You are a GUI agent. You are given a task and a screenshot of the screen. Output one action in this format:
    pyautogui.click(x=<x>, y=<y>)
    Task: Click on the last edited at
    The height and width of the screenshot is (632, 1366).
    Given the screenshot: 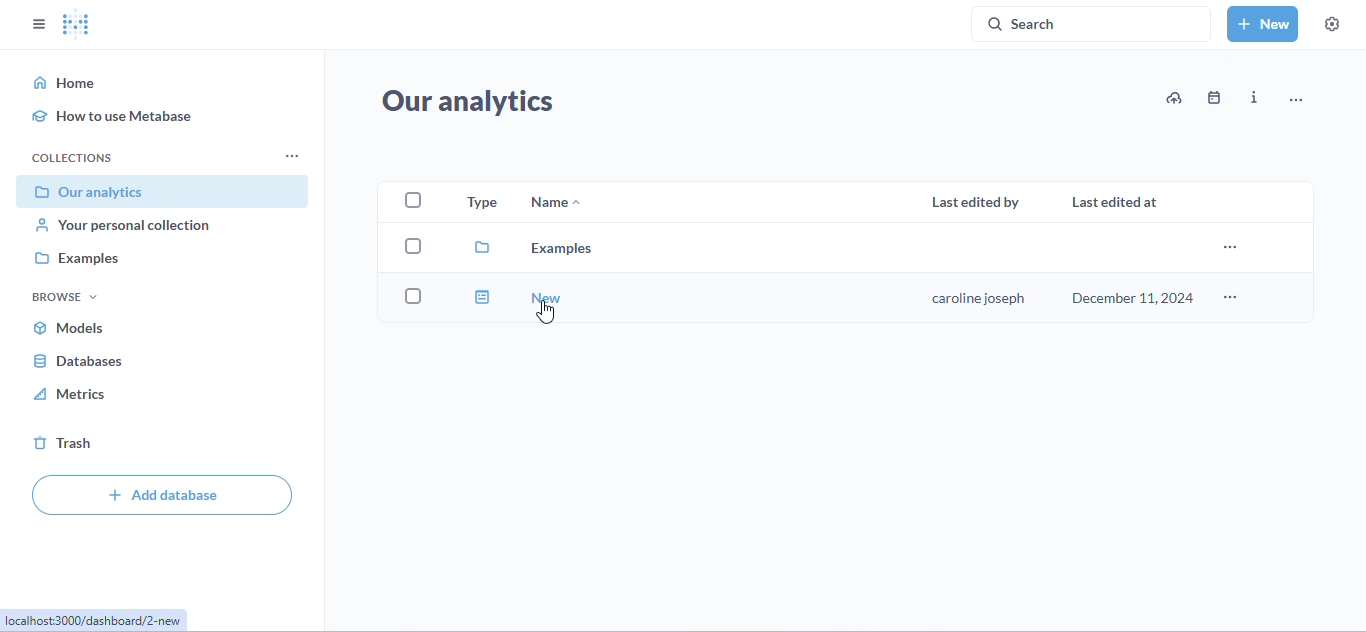 What is the action you would take?
    pyautogui.click(x=1115, y=203)
    